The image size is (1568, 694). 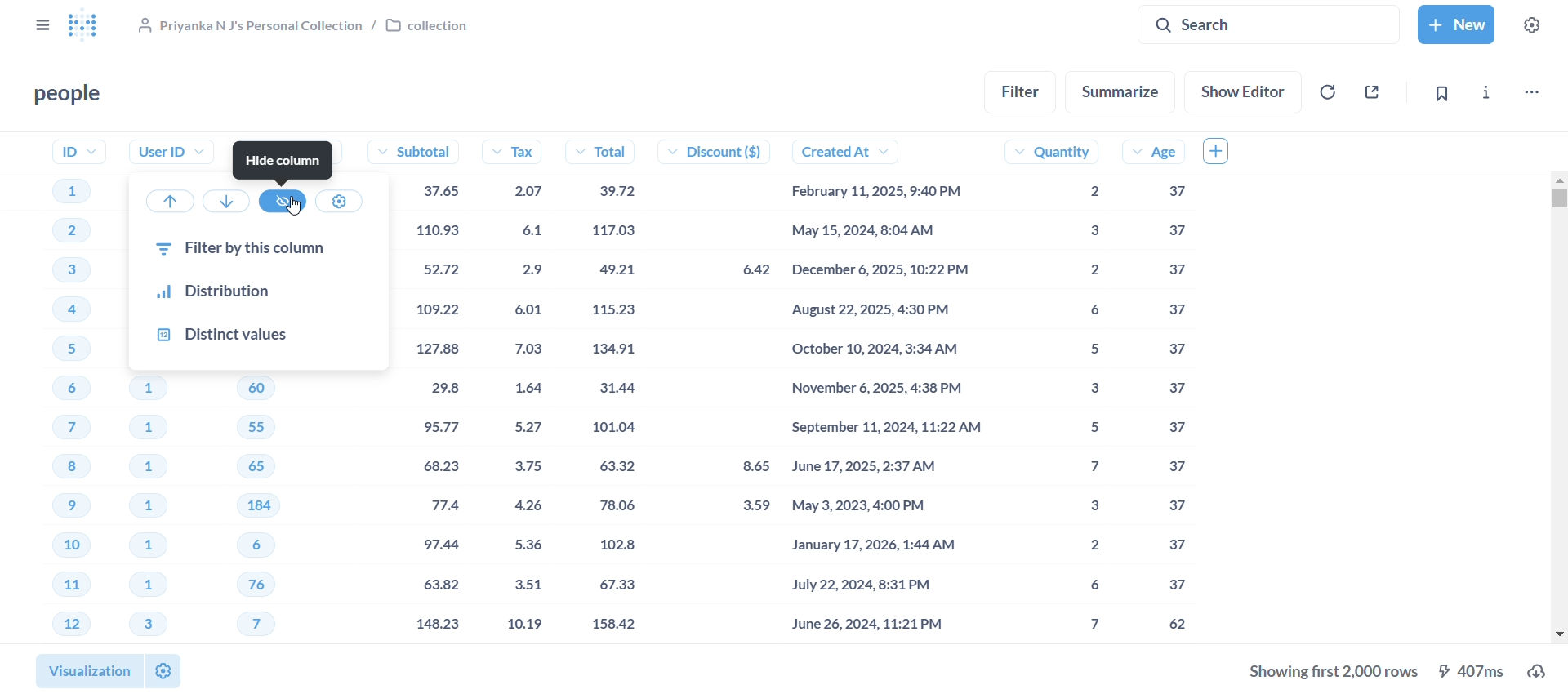 I want to click on move,trash, and more, so click(x=1535, y=91).